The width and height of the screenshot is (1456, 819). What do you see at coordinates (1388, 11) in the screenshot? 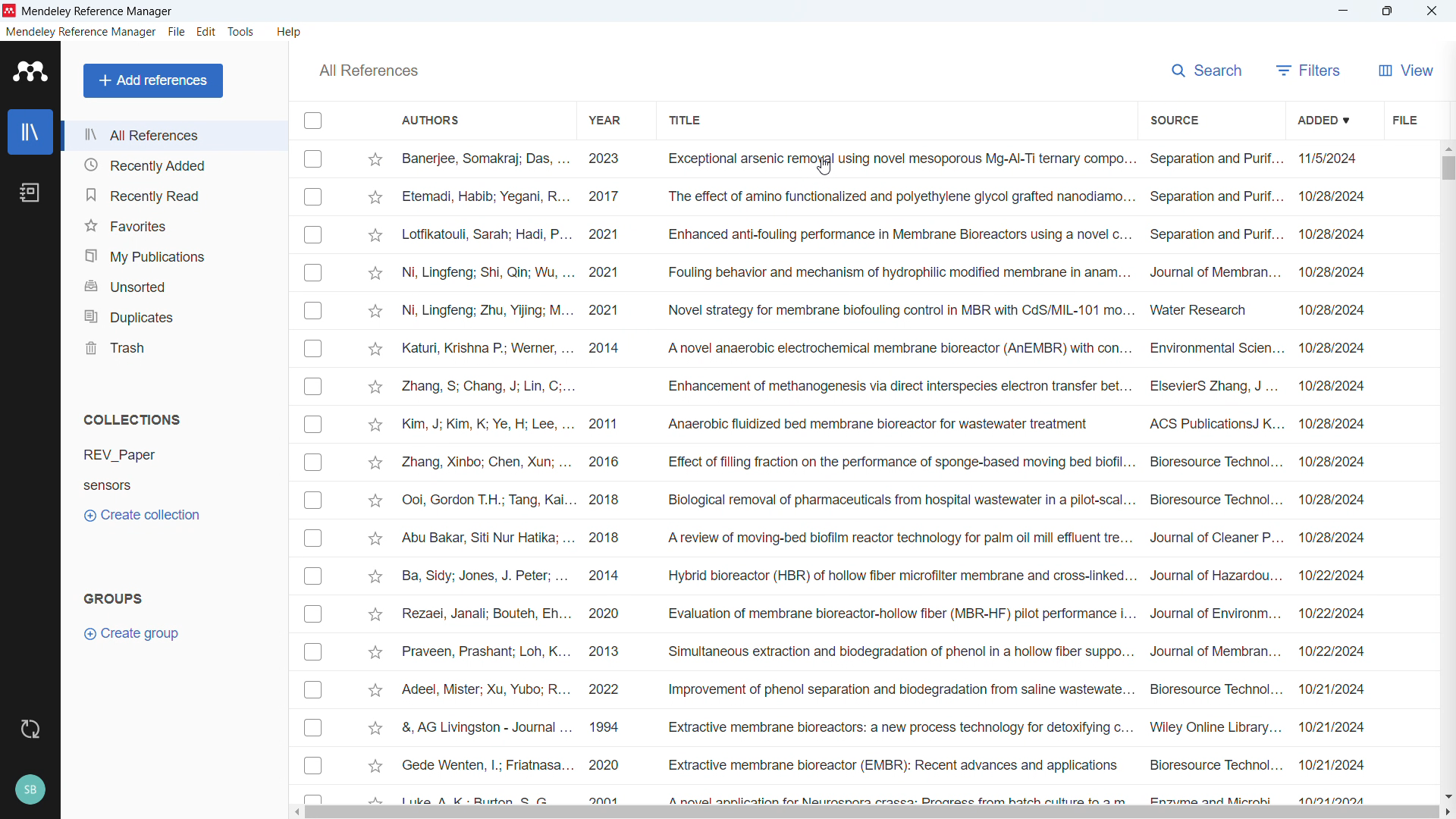
I see `Maximise ` at bounding box center [1388, 11].